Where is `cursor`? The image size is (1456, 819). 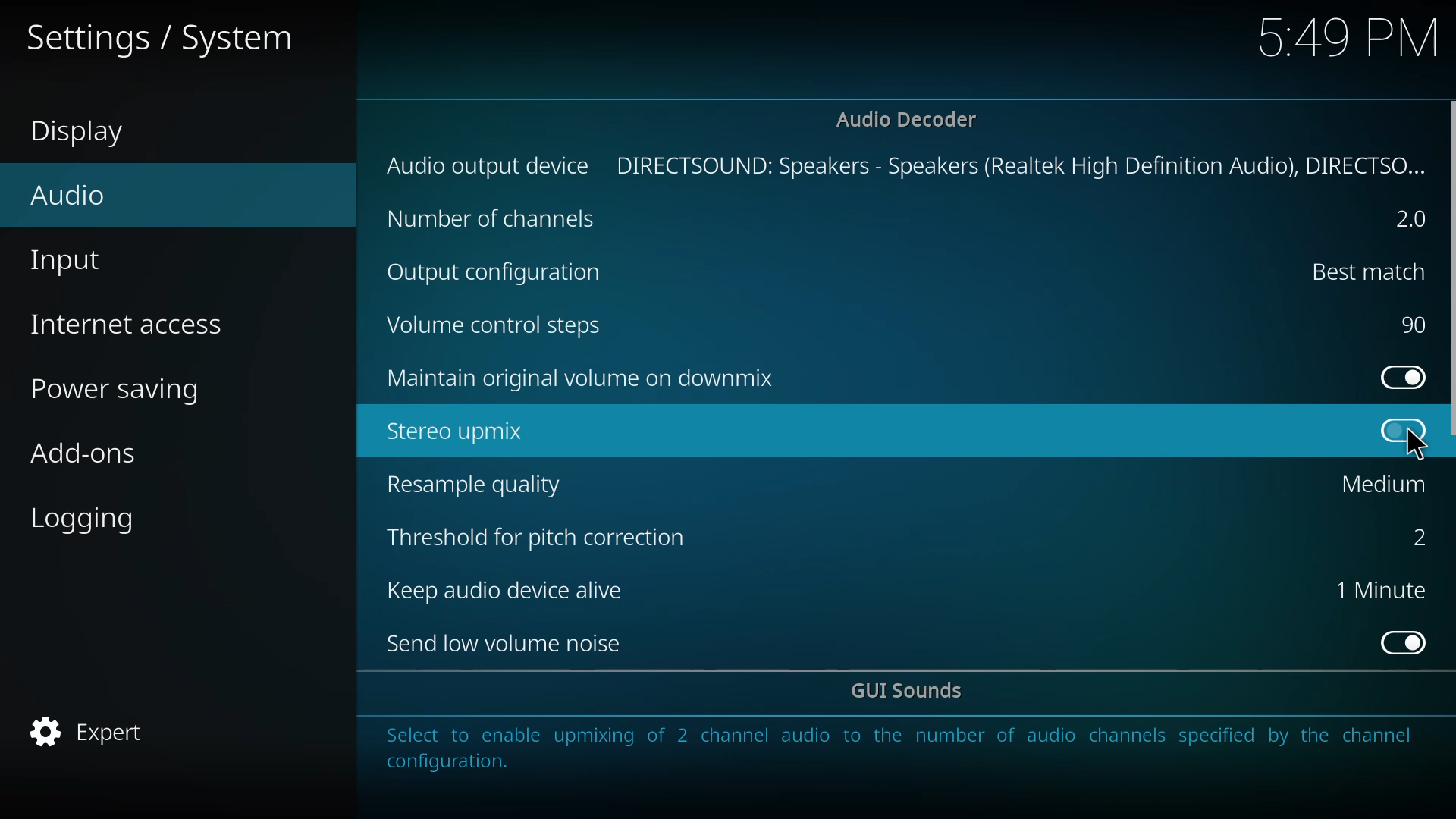 cursor is located at coordinates (1417, 441).